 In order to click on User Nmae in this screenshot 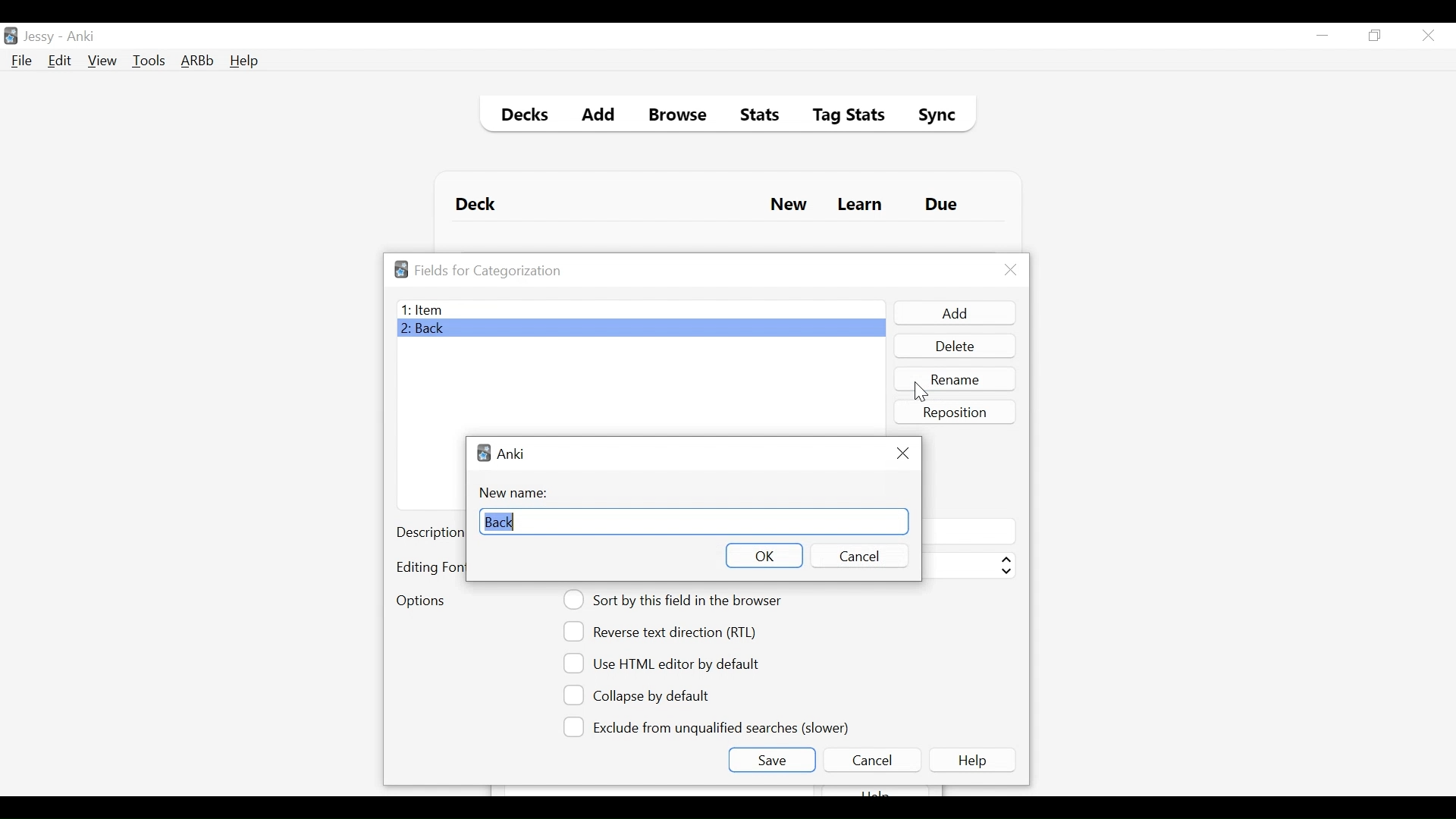, I will do `click(42, 37)`.